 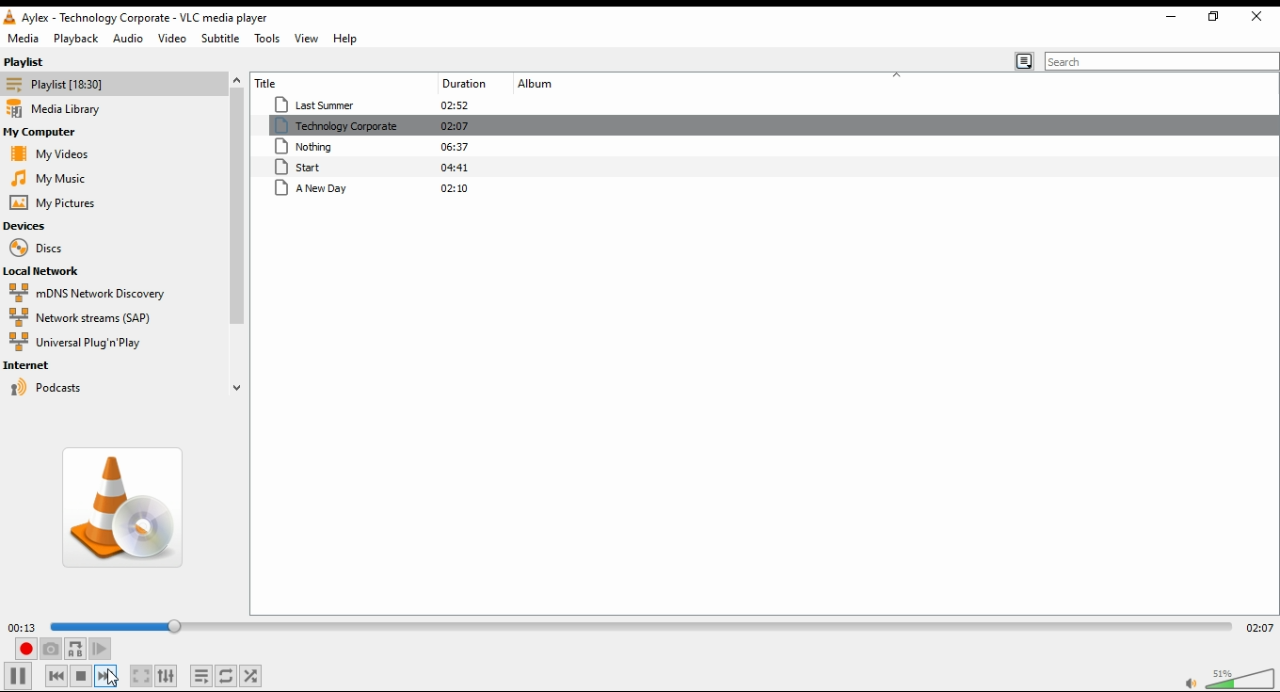 What do you see at coordinates (236, 234) in the screenshot?
I see `scroll bar` at bounding box center [236, 234].